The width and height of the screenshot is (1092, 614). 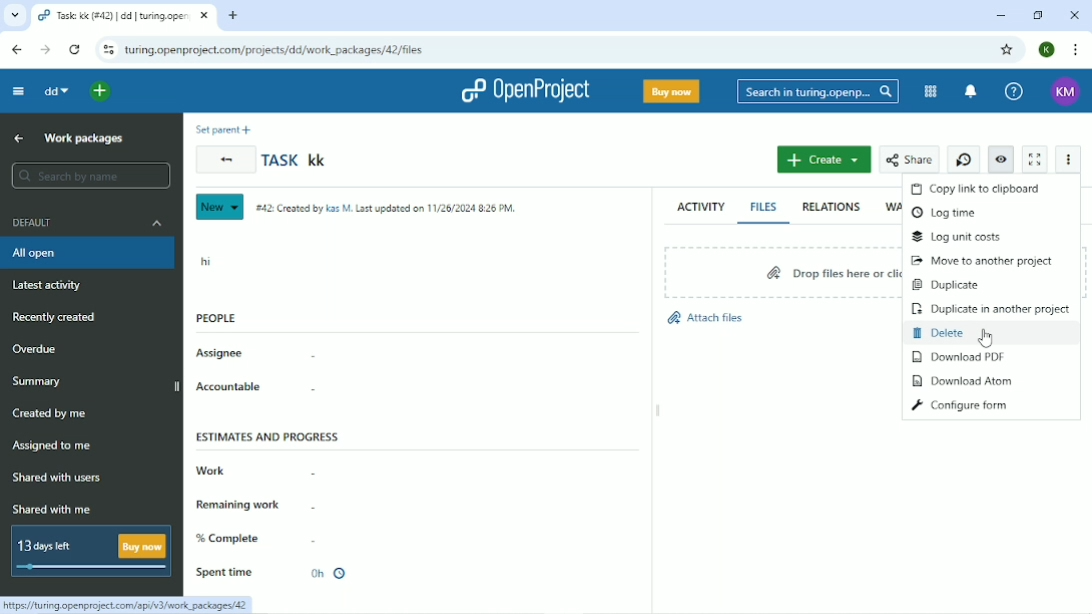 What do you see at coordinates (524, 91) in the screenshot?
I see `OpenProject` at bounding box center [524, 91].